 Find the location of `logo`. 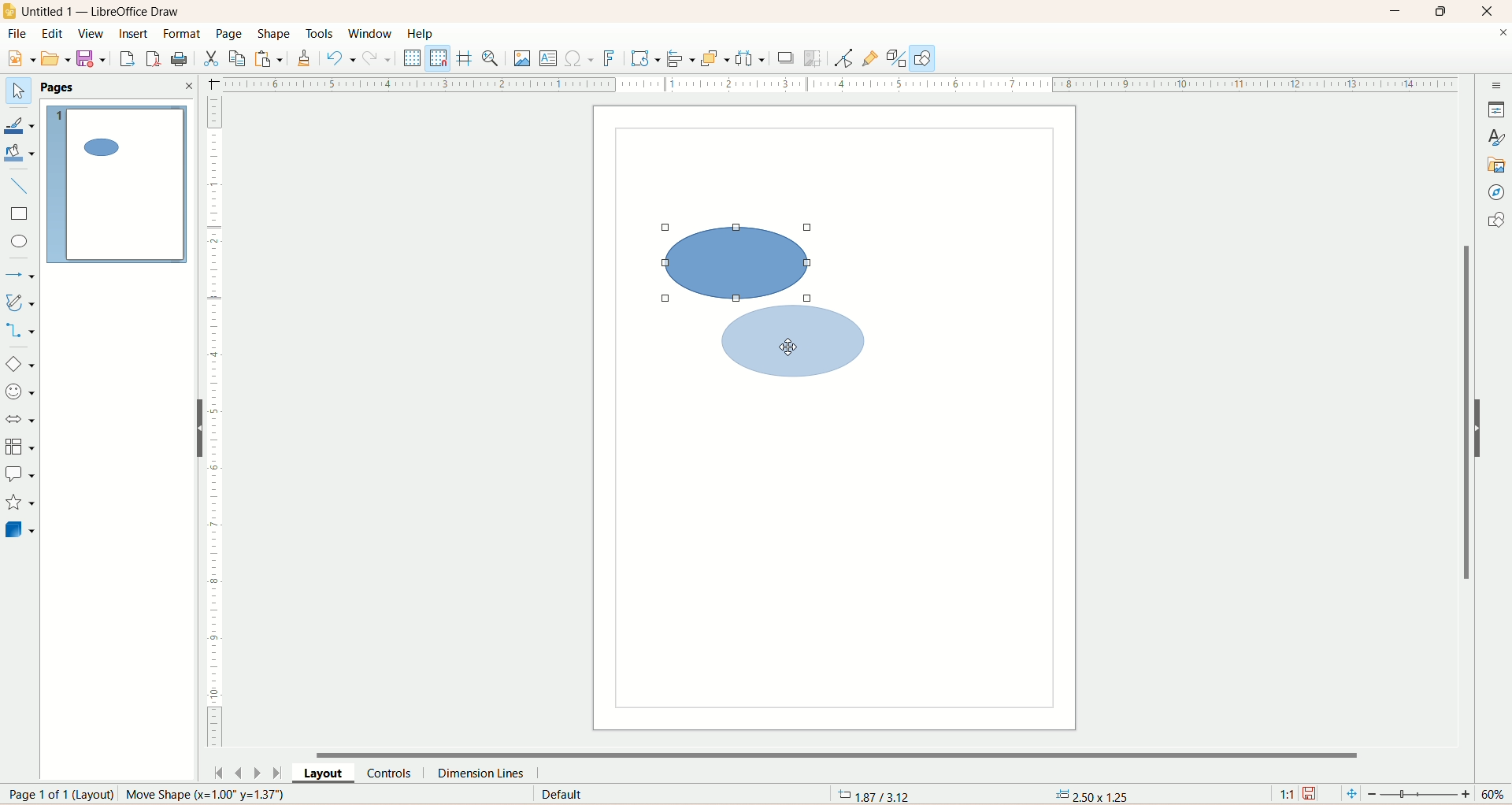

logo is located at coordinates (10, 10).